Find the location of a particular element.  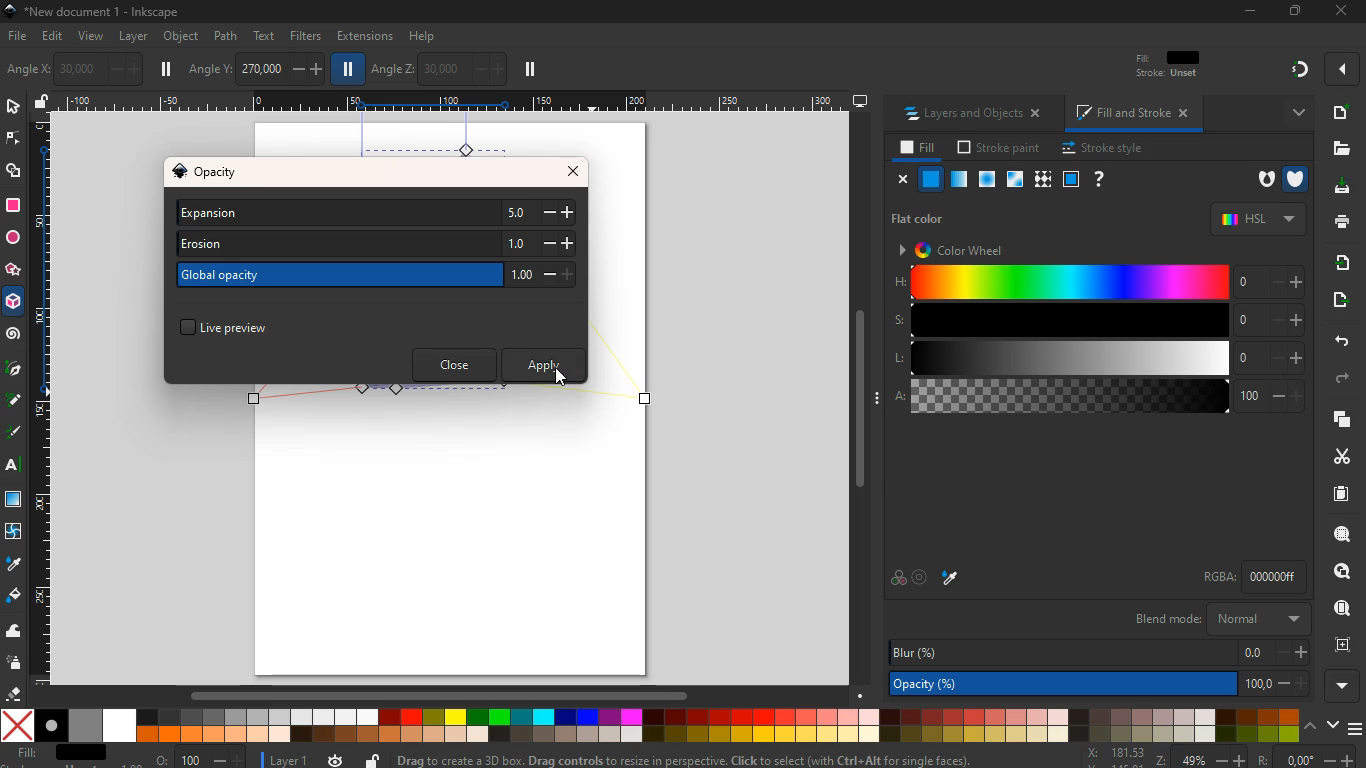

target is located at coordinates (921, 577).